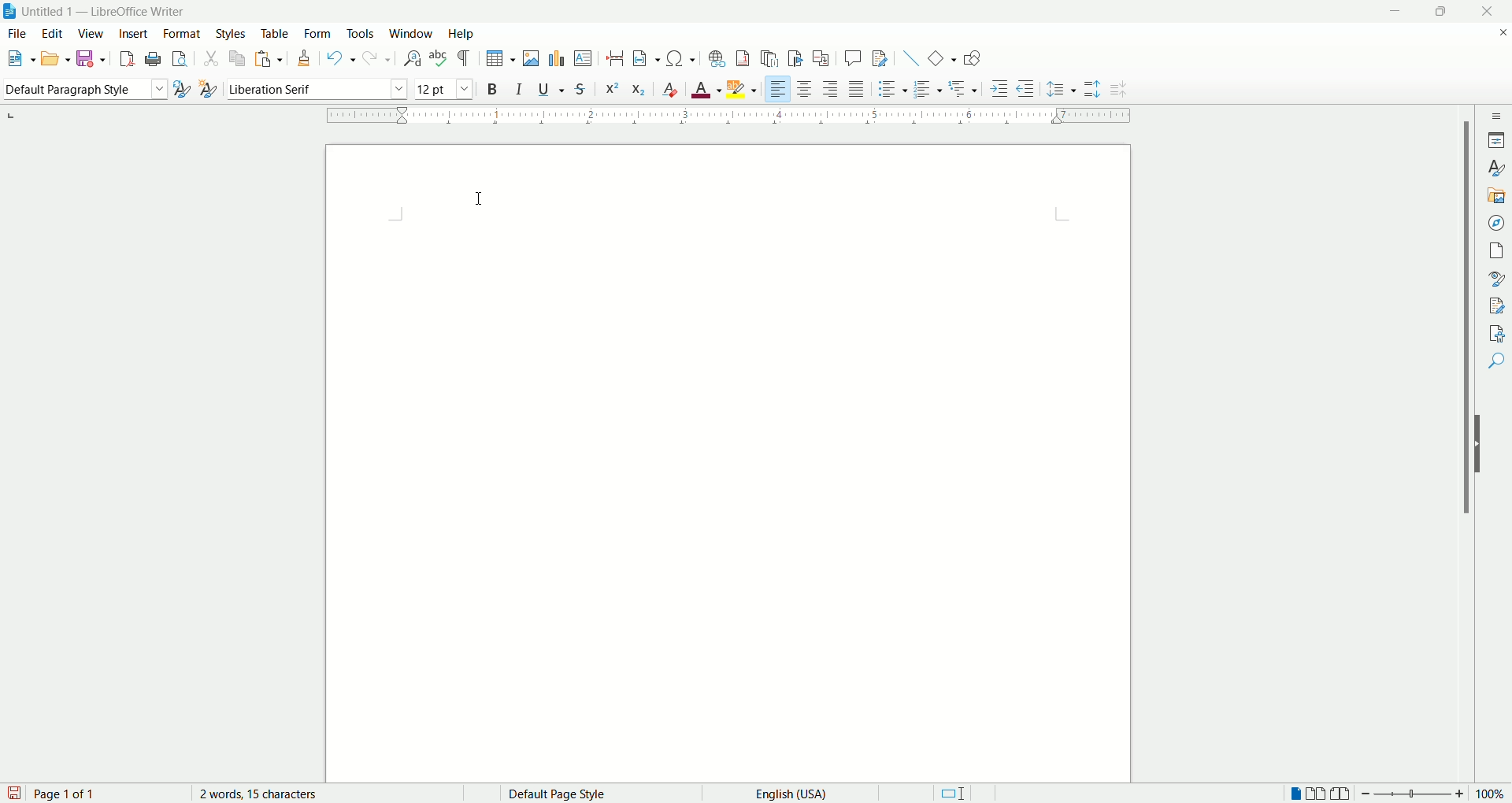  Describe the element at coordinates (1503, 35) in the screenshot. I see `close document` at that location.